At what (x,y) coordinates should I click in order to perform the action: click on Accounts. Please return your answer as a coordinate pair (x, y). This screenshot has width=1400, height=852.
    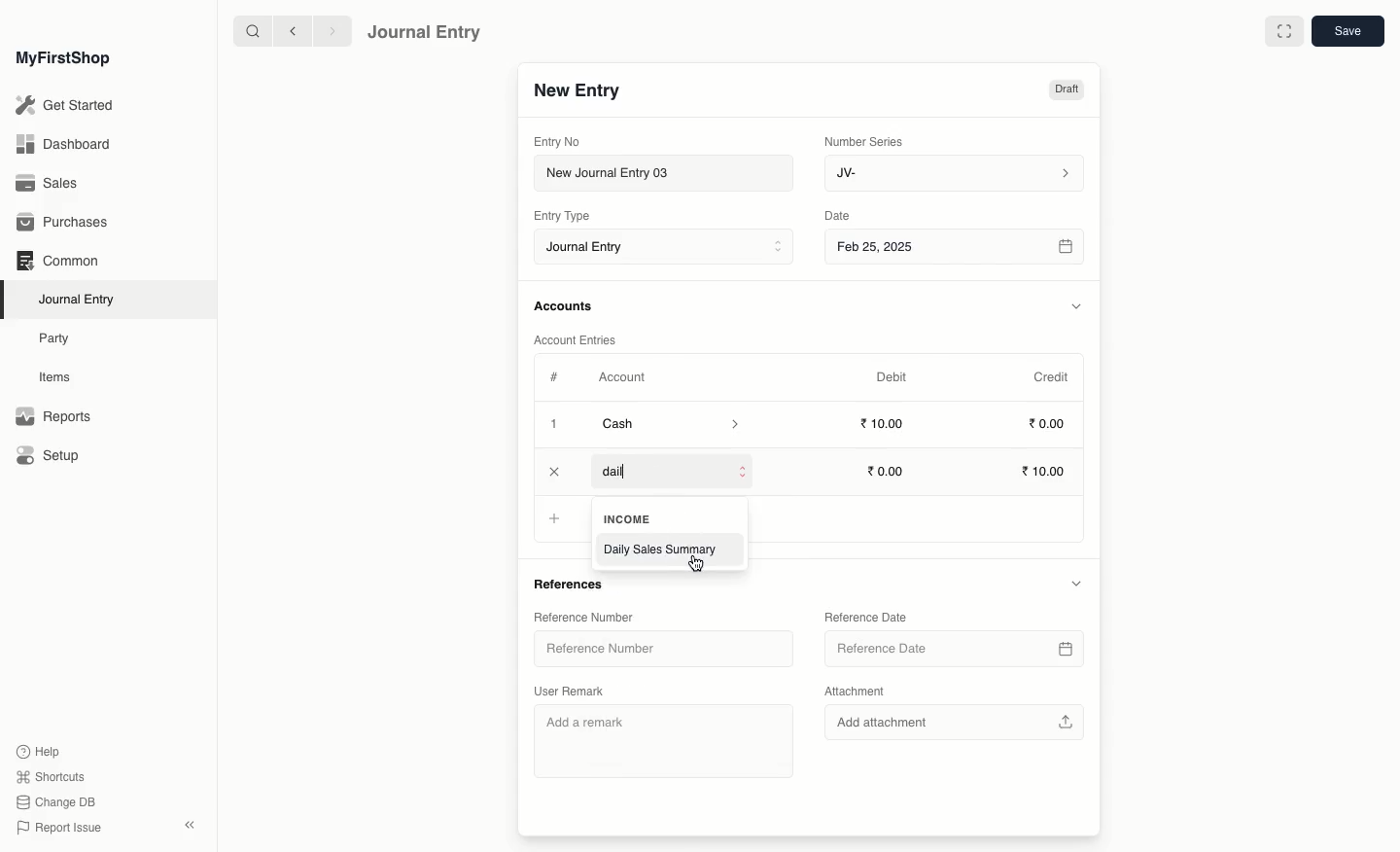
    Looking at the image, I should click on (565, 306).